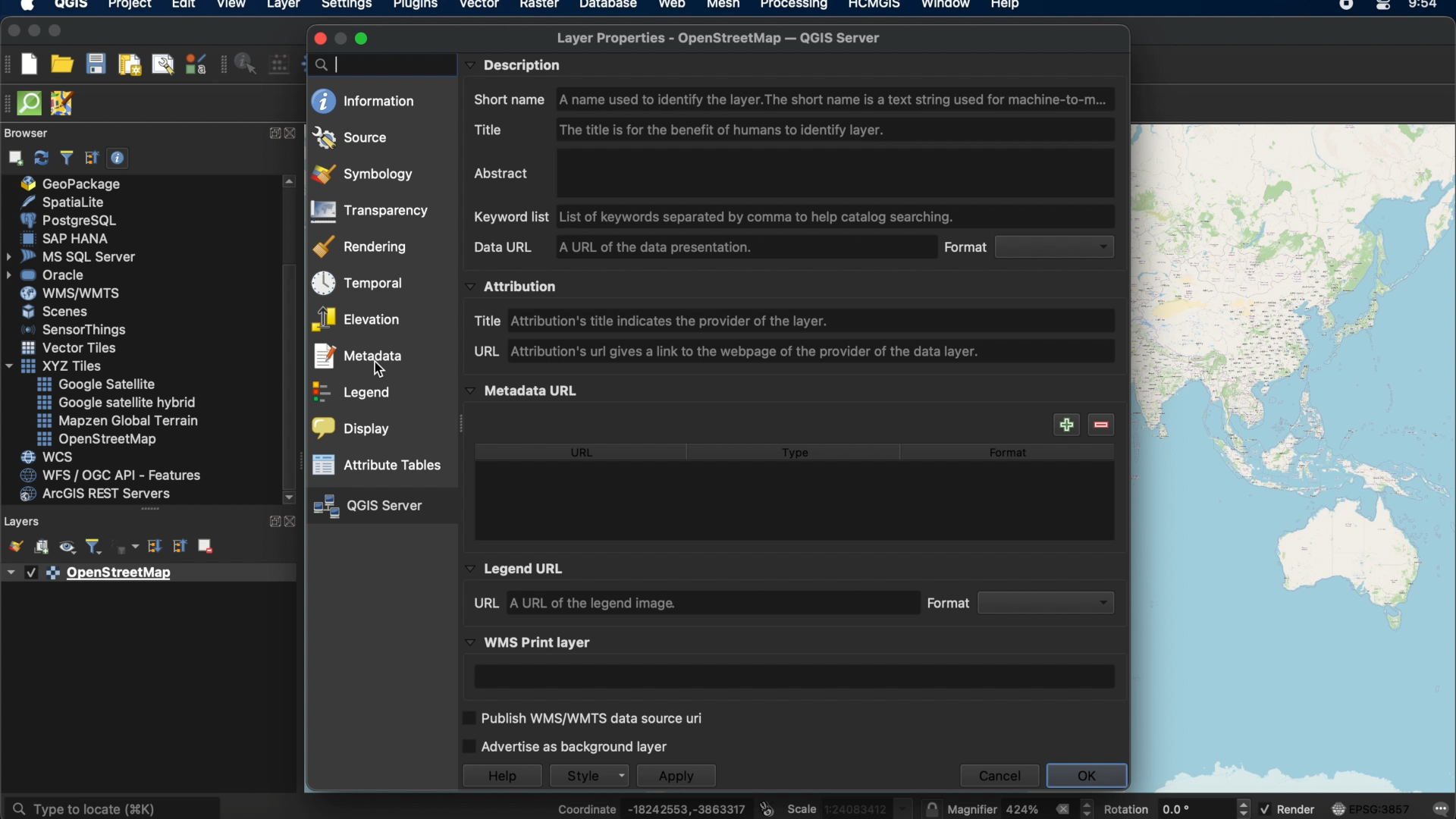 The image size is (1456, 819). Describe the element at coordinates (53, 312) in the screenshot. I see `scenes` at that location.